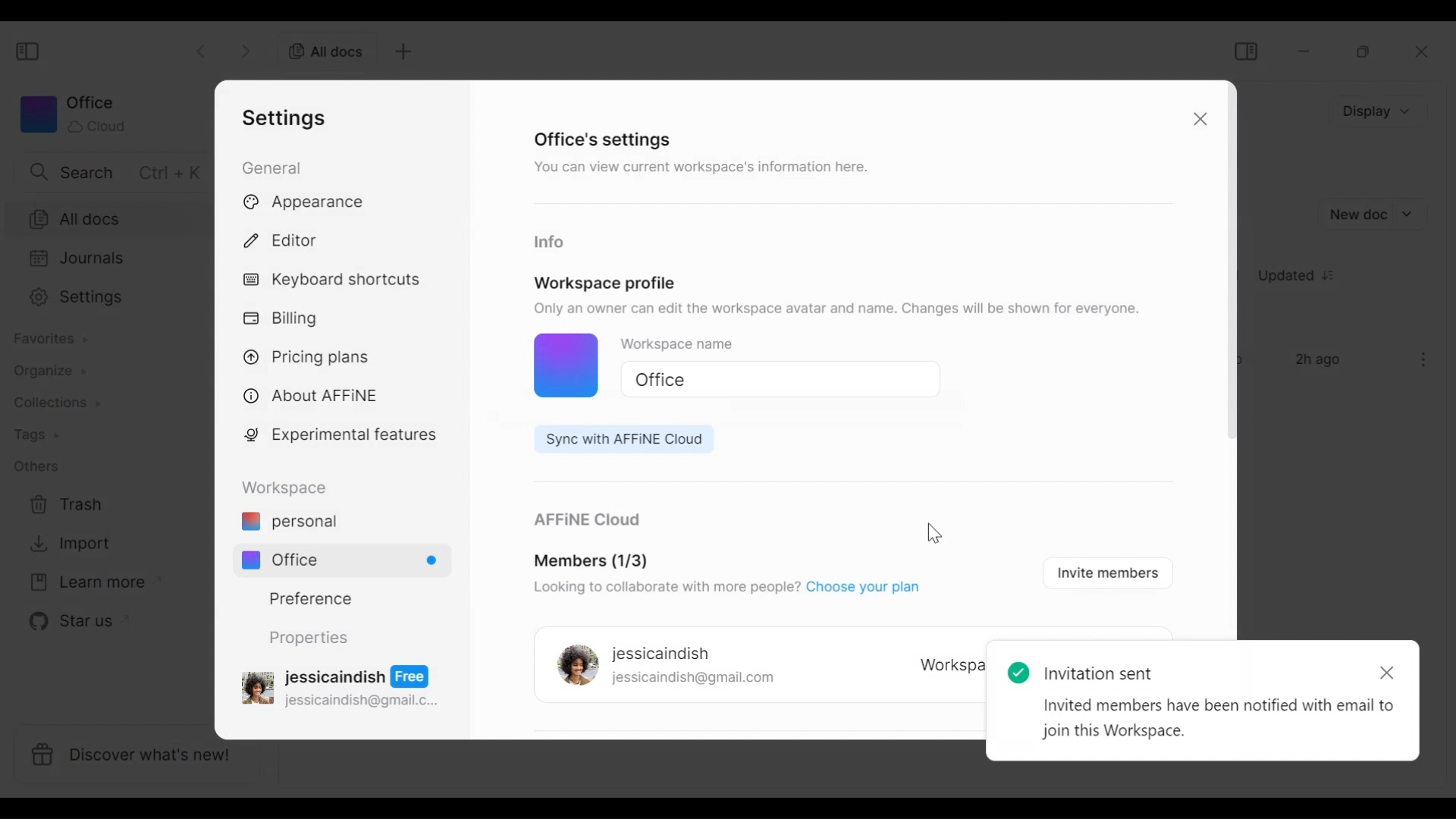 This screenshot has width=1456, height=819. What do you see at coordinates (604, 139) in the screenshot?
I see `Office's settings` at bounding box center [604, 139].